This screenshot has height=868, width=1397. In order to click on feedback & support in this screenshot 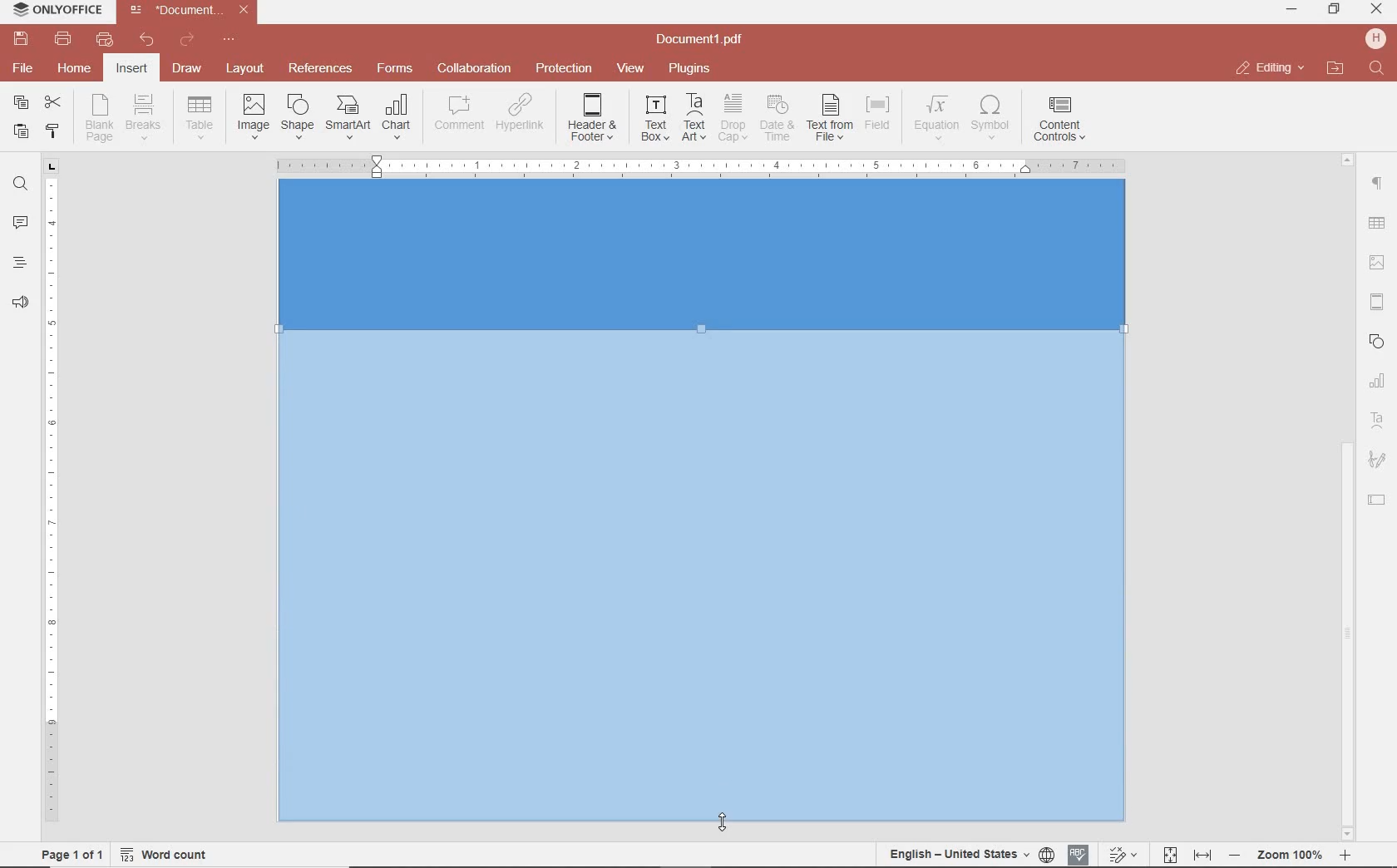, I will do `click(21, 303)`.